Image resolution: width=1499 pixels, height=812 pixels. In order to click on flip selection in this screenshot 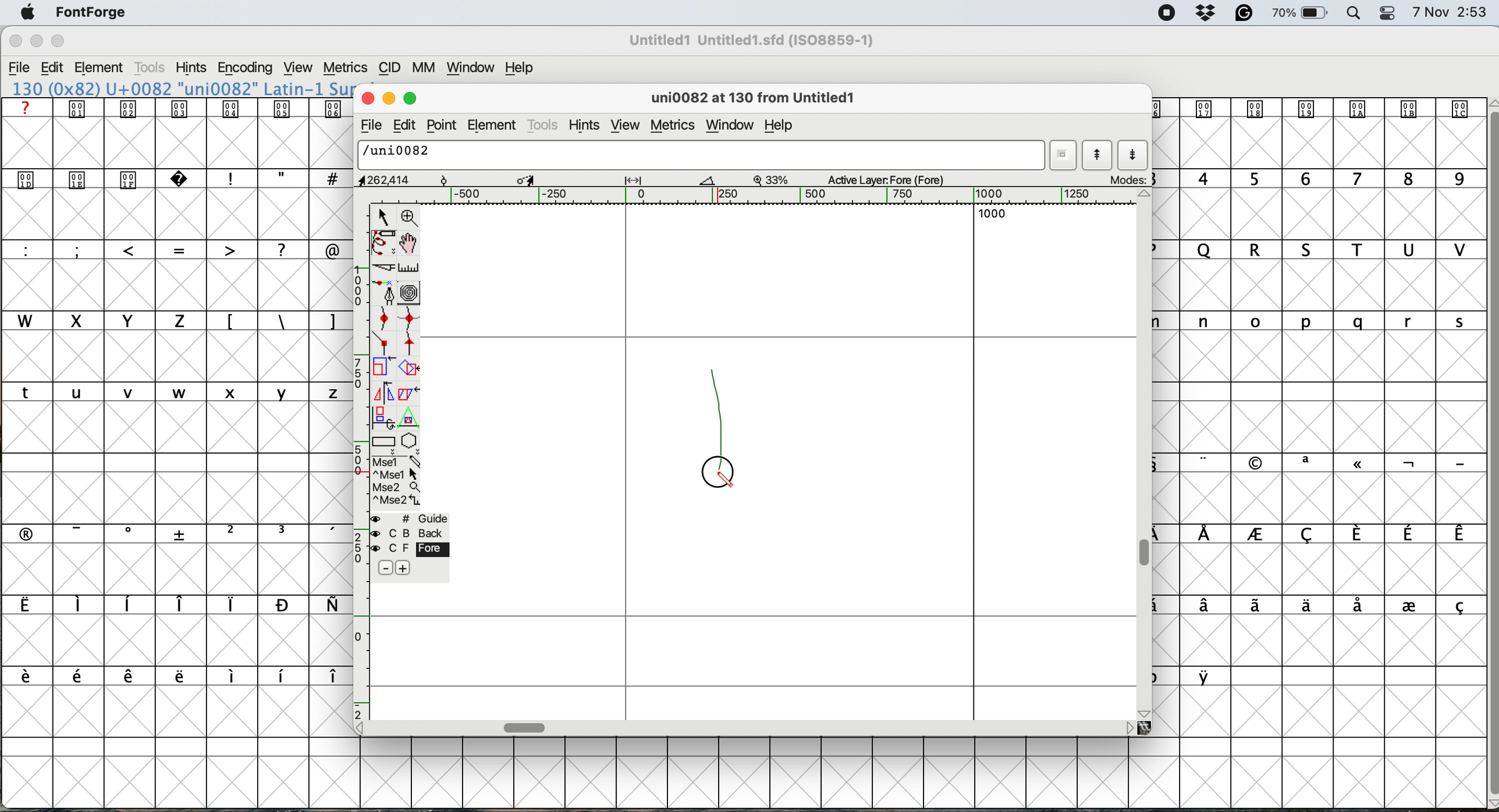, I will do `click(382, 394)`.